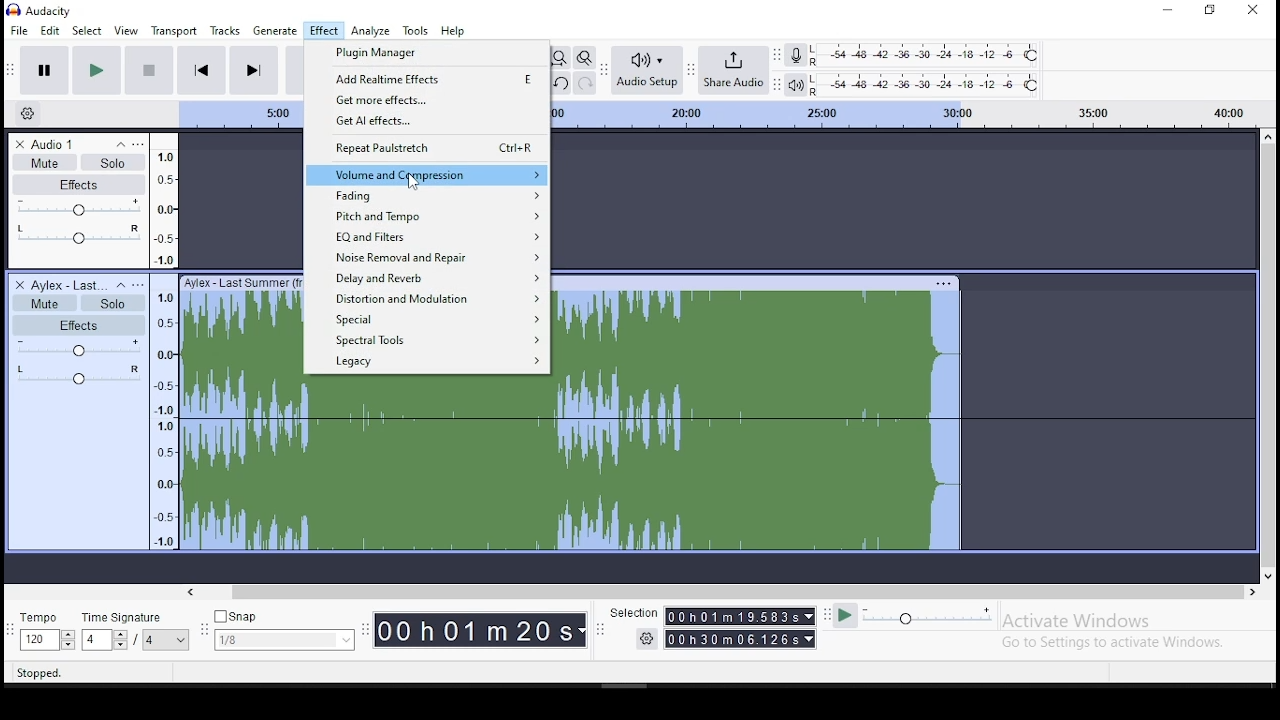 This screenshot has width=1280, height=720. I want to click on analyze, so click(370, 31).